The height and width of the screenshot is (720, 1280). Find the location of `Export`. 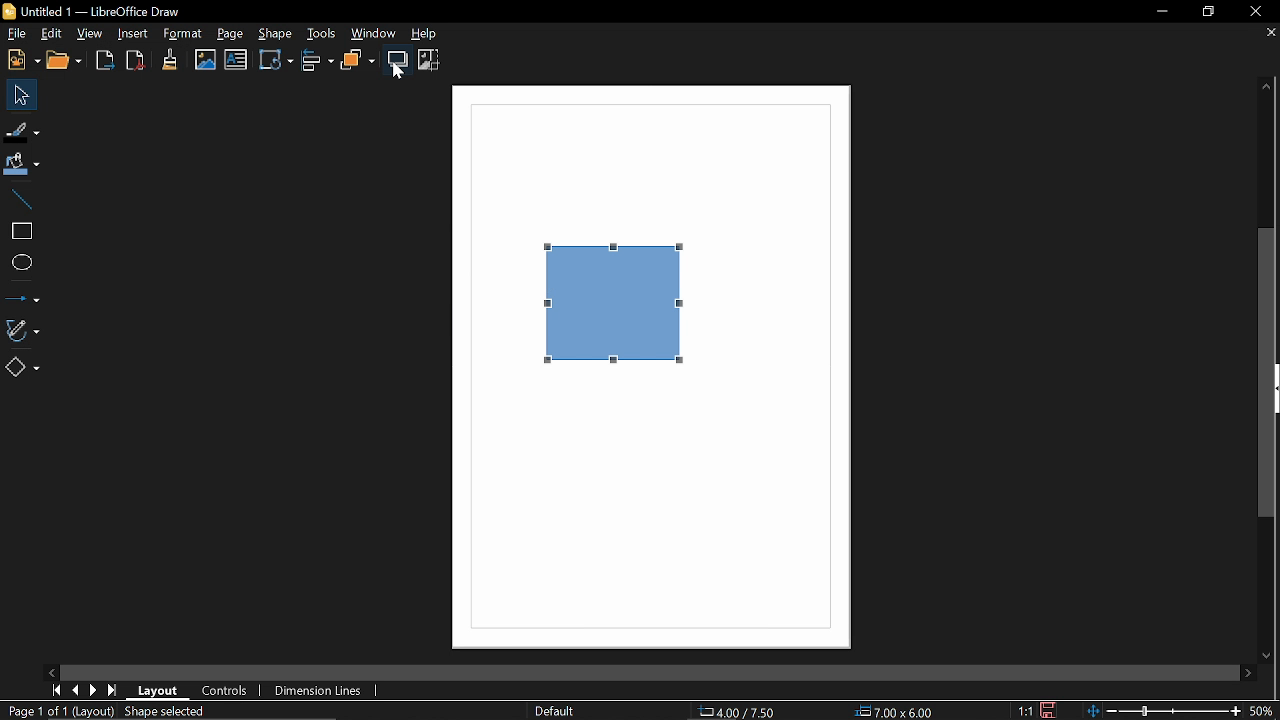

Export is located at coordinates (104, 62).